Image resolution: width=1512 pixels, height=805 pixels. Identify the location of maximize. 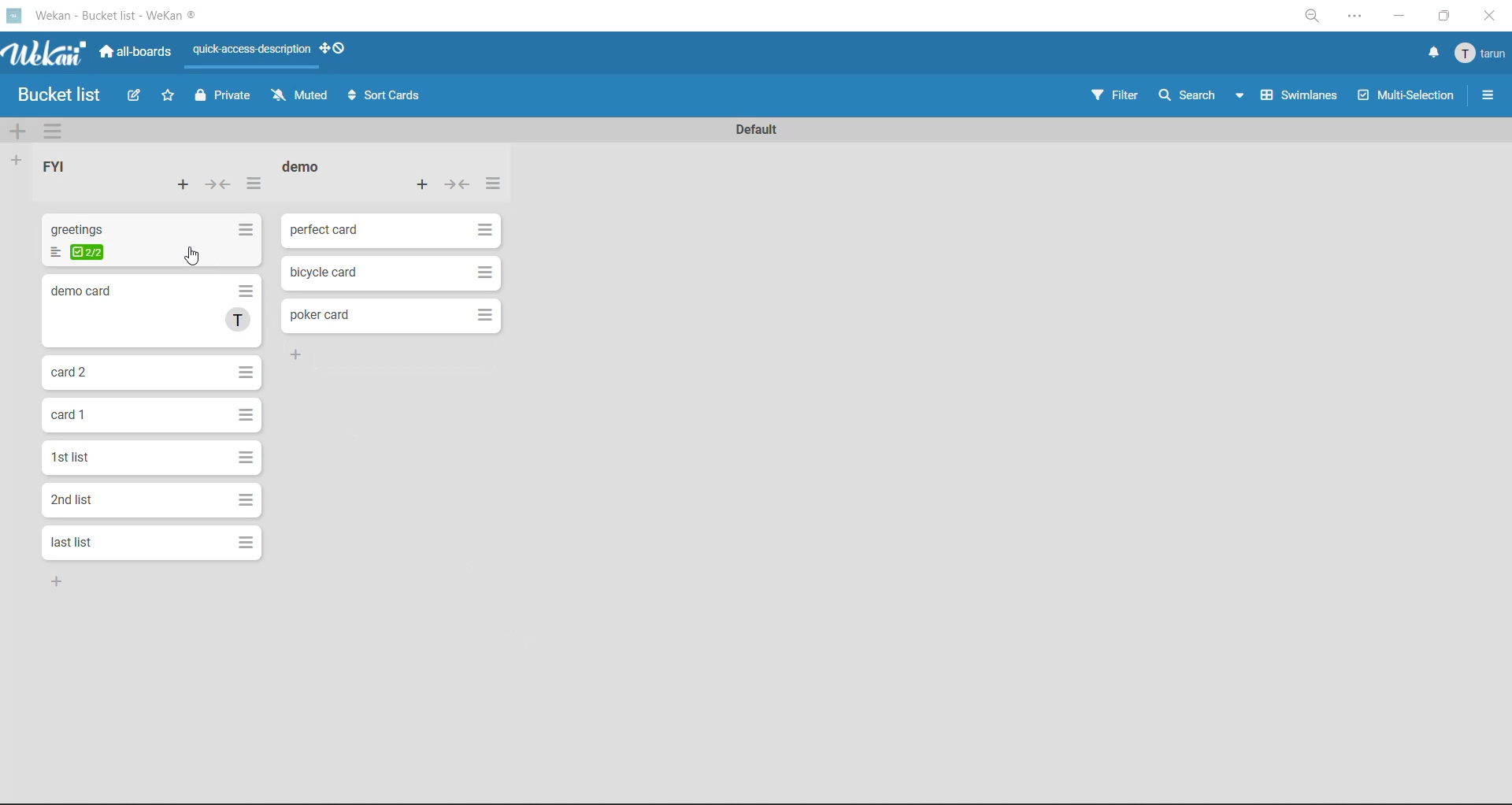
(1445, 16).